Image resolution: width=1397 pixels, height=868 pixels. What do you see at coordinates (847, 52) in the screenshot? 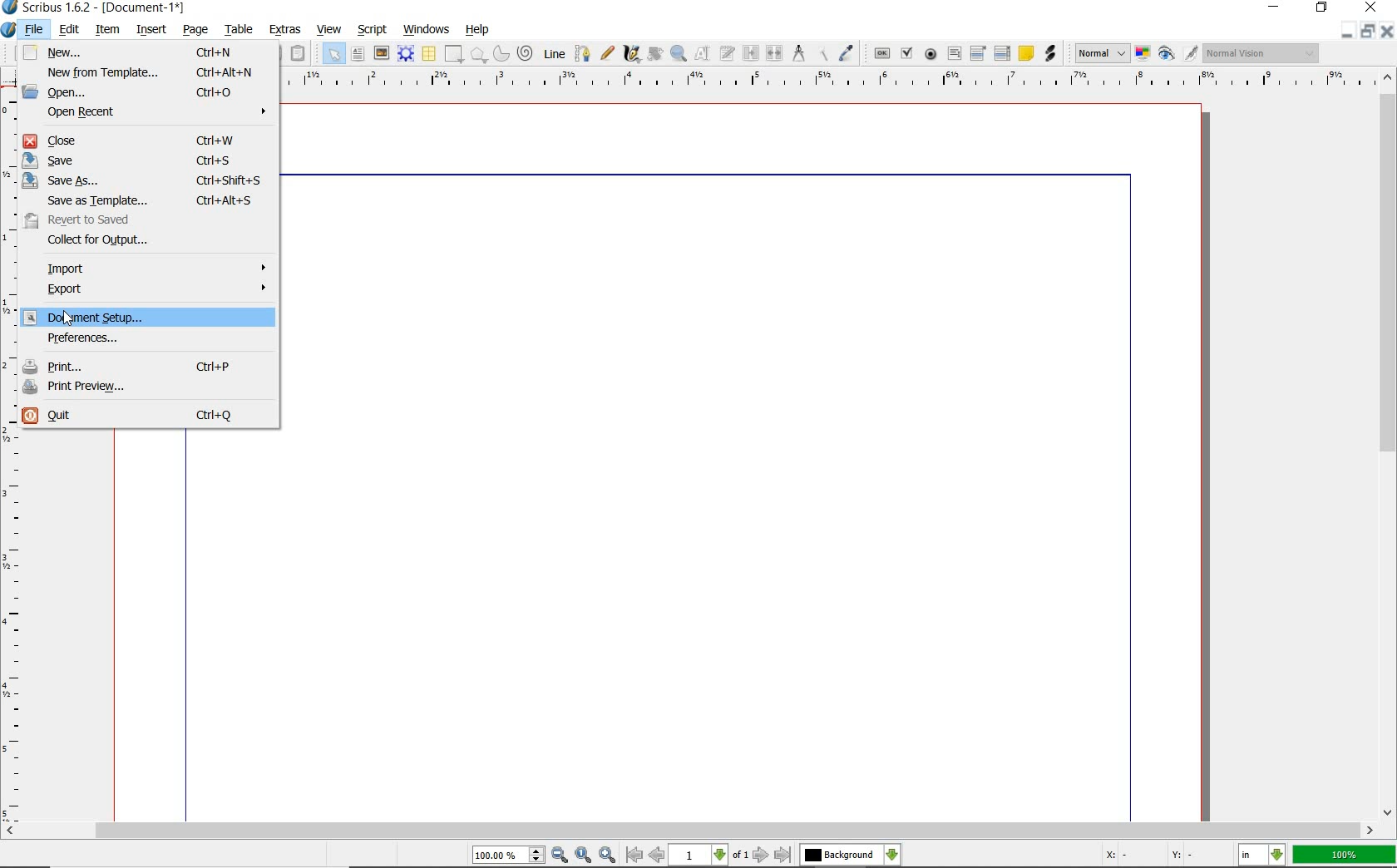
I see `eye dropper` at bounding box center [847, 52].